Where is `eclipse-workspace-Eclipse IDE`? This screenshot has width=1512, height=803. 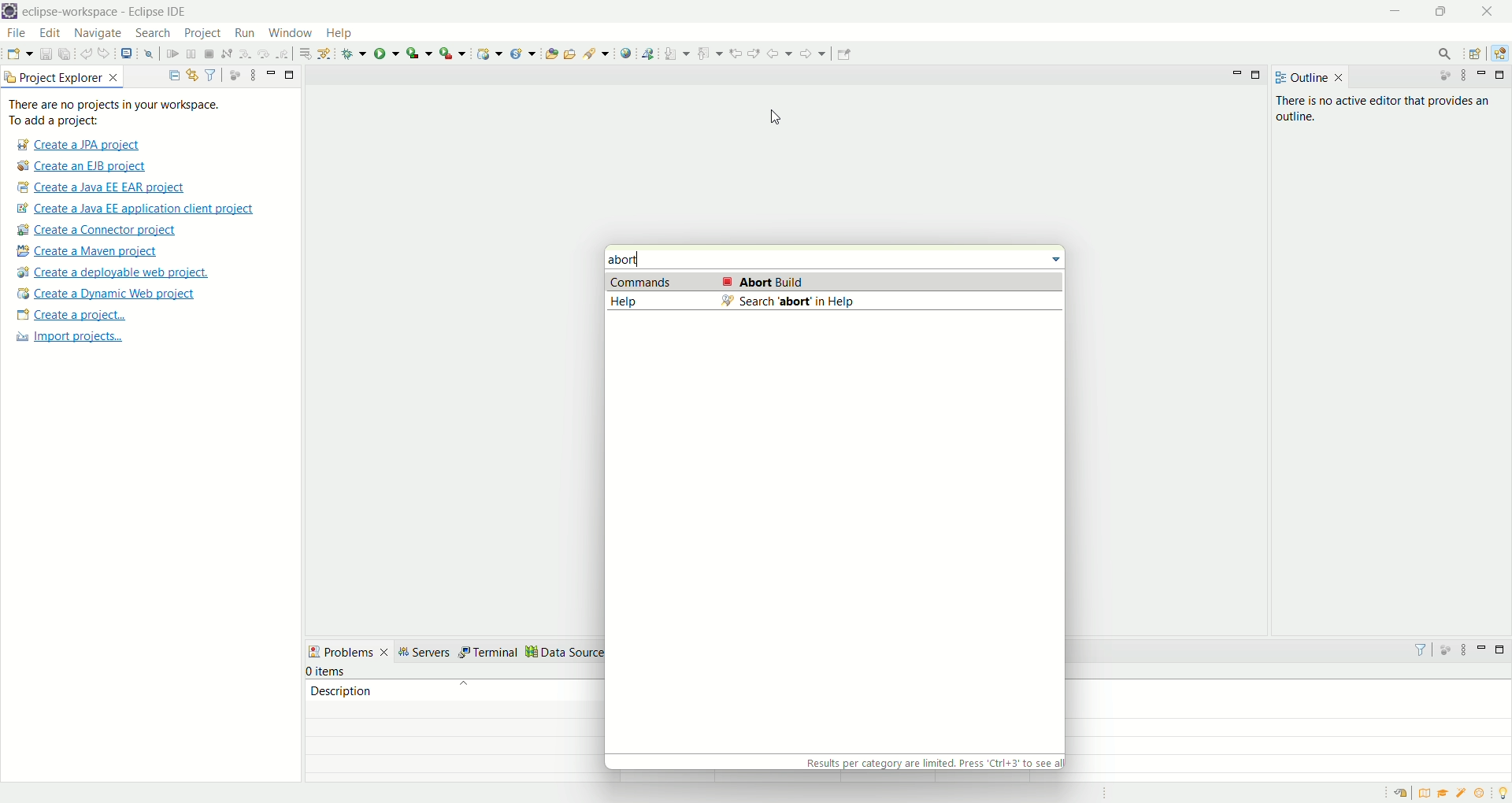 eclipse-workspace-Eclipse IDE is located at coordinates (102, 11).